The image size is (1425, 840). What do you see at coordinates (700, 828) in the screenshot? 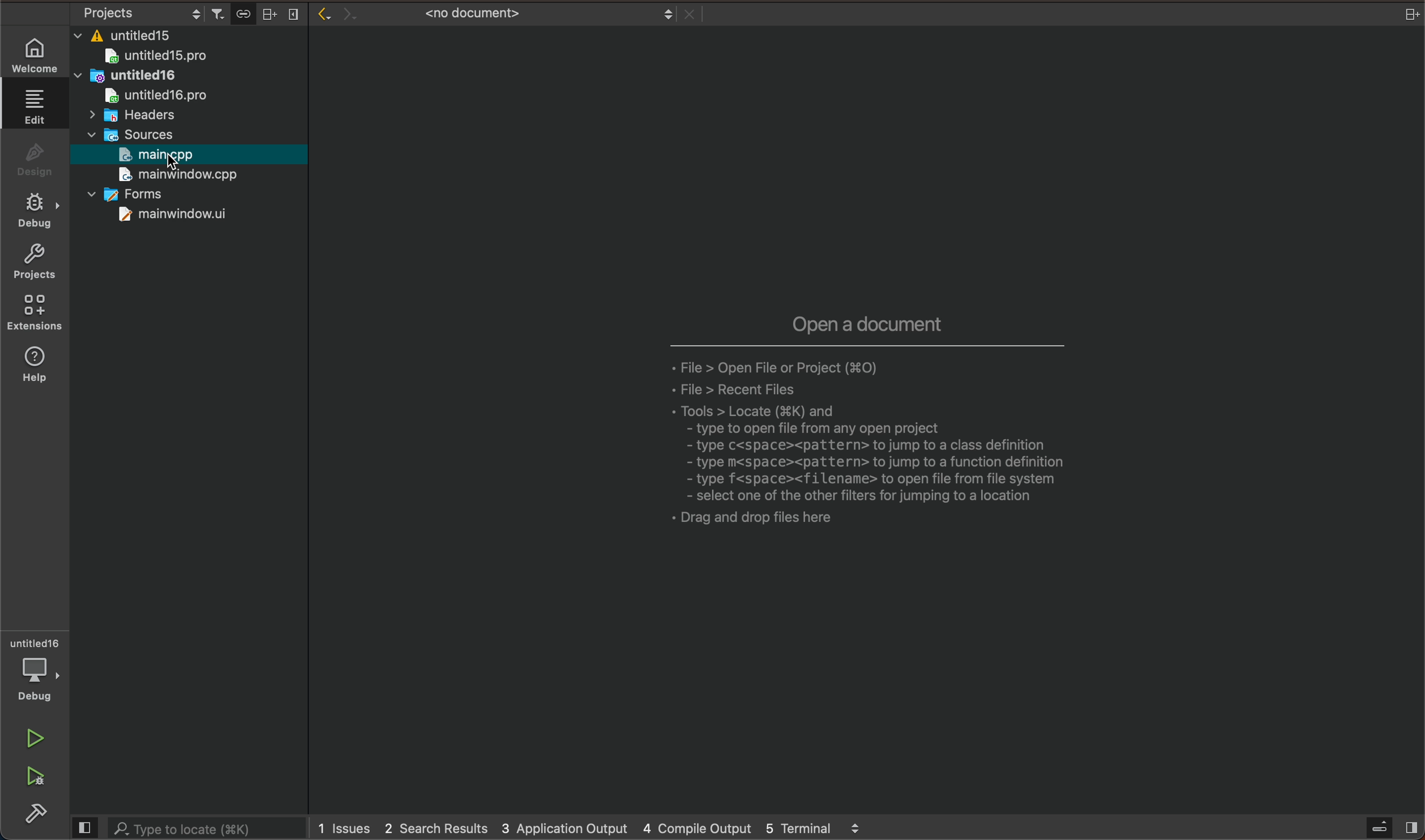
I see `4 compile output` at bounding box center [700, 828].